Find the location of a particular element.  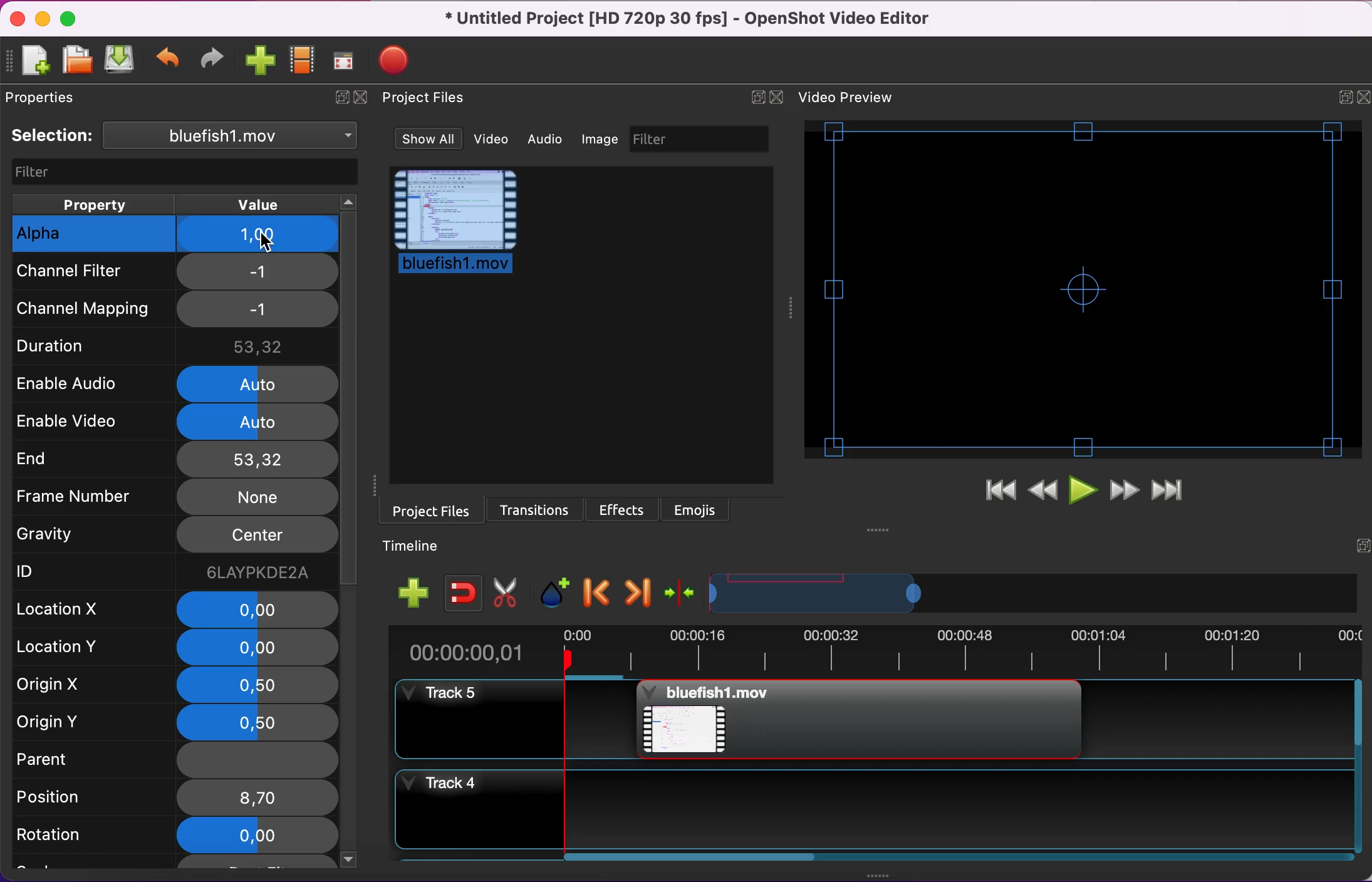

1 is located at coordinates (260, 236).